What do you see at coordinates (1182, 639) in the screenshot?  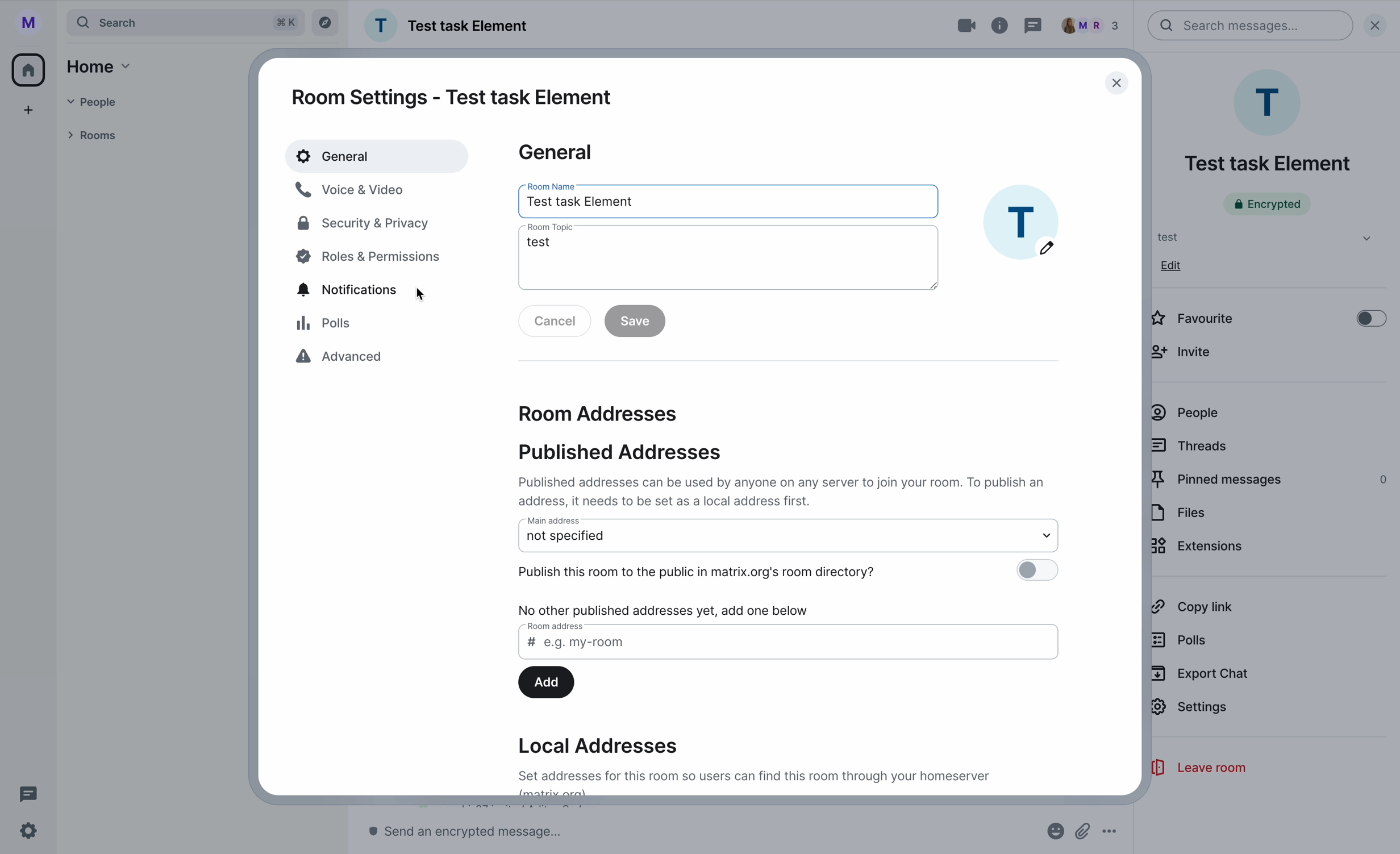 I see `polls` at bounding box center [1182, 639].